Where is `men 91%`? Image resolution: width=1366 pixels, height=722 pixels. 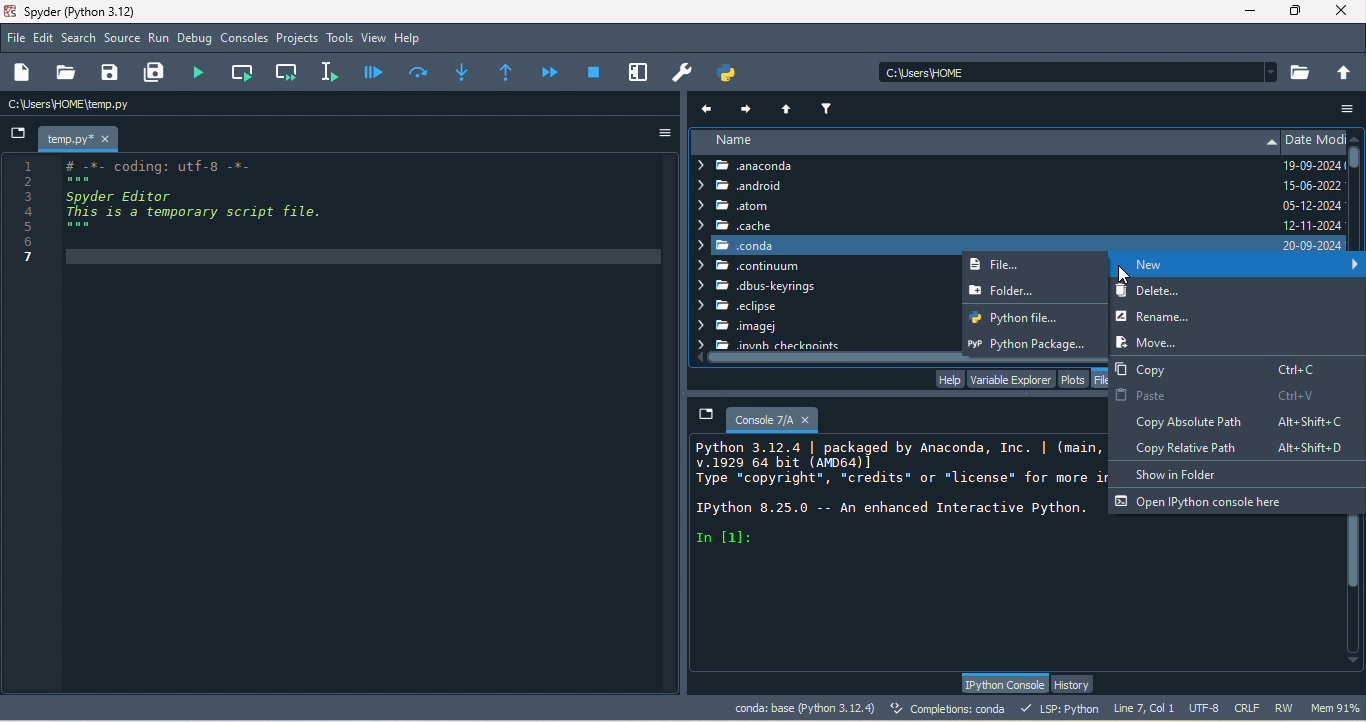 men 91% is located at coordinates (1338, 707).